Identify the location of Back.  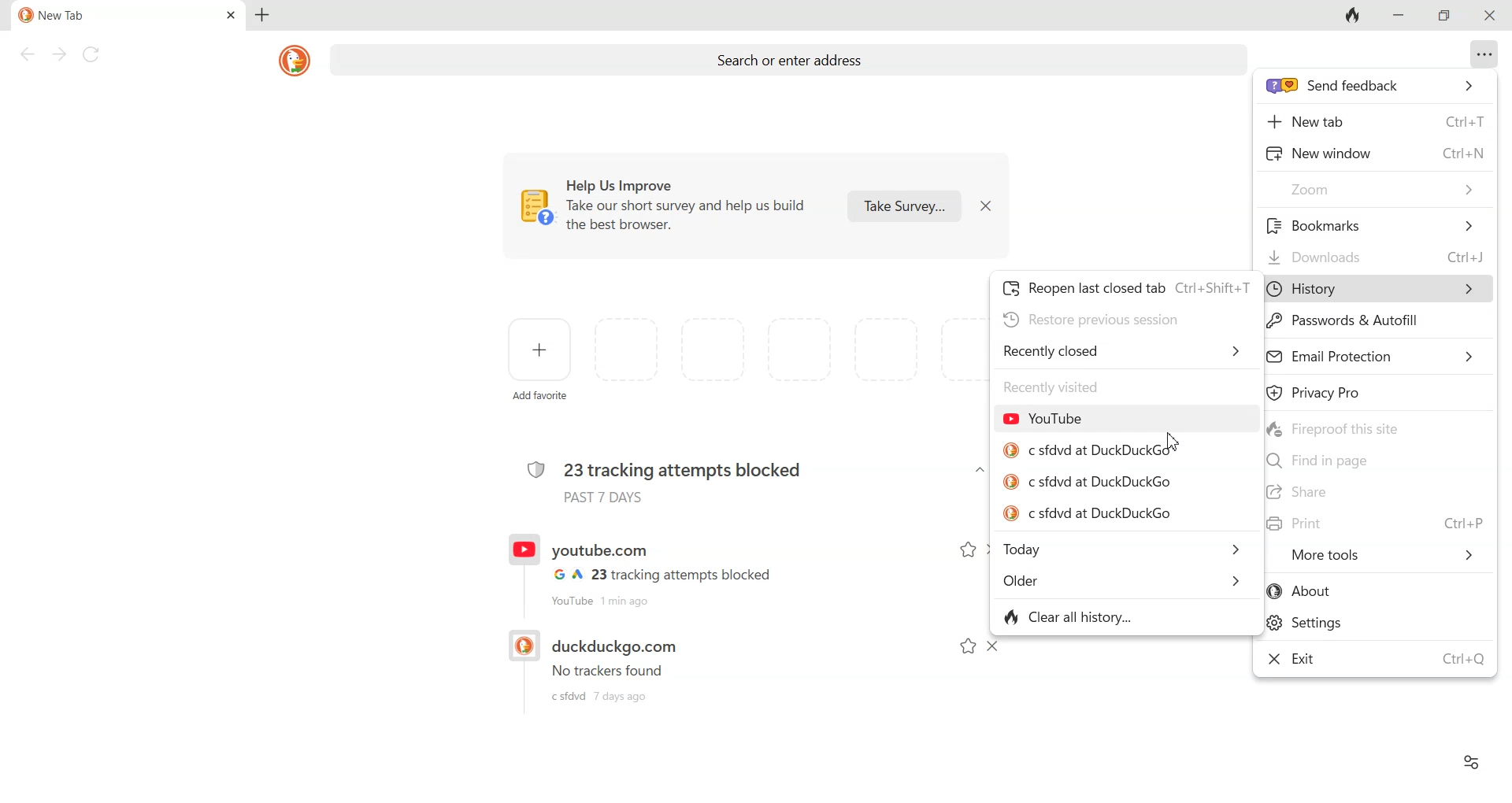
(26, 54).